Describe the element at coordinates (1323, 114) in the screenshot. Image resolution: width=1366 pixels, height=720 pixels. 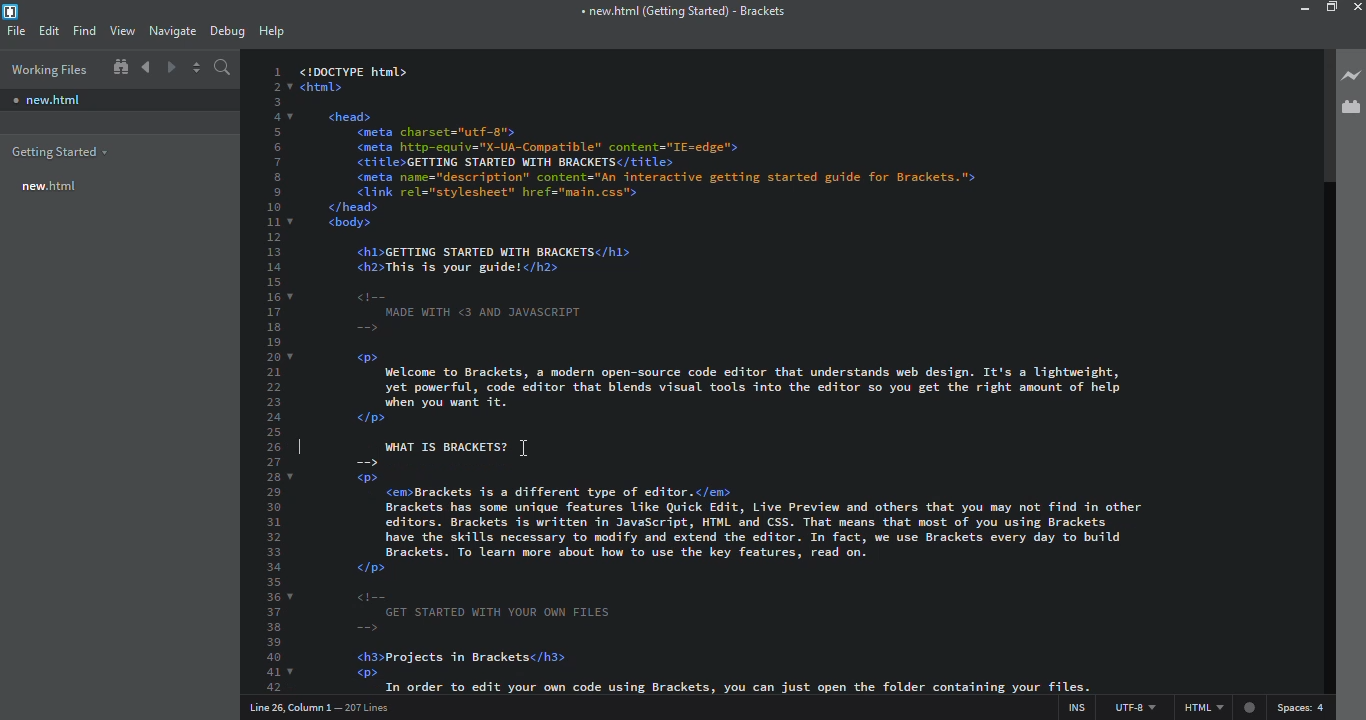
I see `scroll bar` at that location.